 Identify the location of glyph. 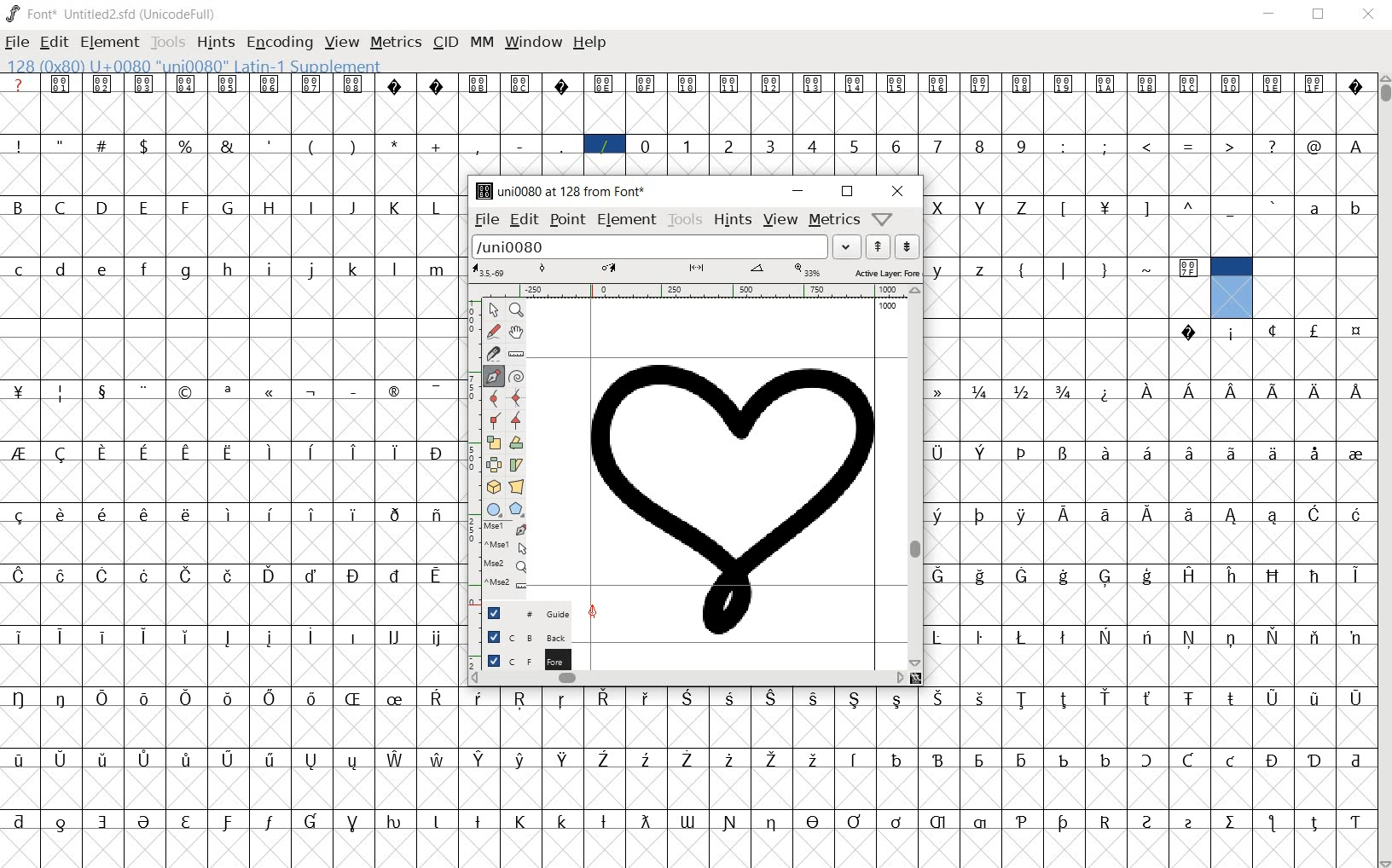
(478, 821).